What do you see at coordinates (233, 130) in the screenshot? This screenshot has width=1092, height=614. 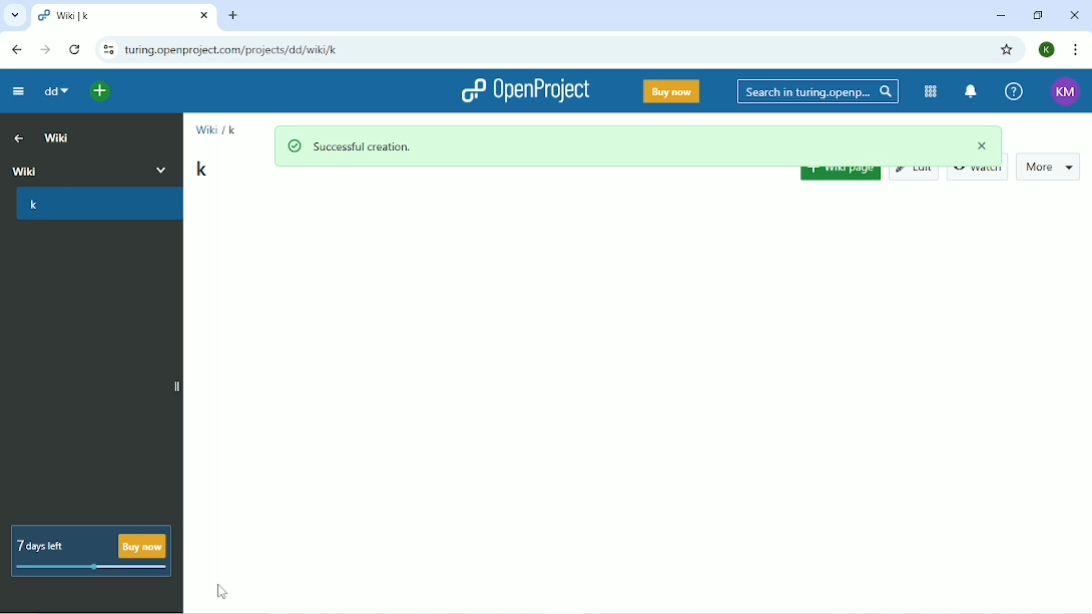 I see `k` at bounding box center [233, 130].